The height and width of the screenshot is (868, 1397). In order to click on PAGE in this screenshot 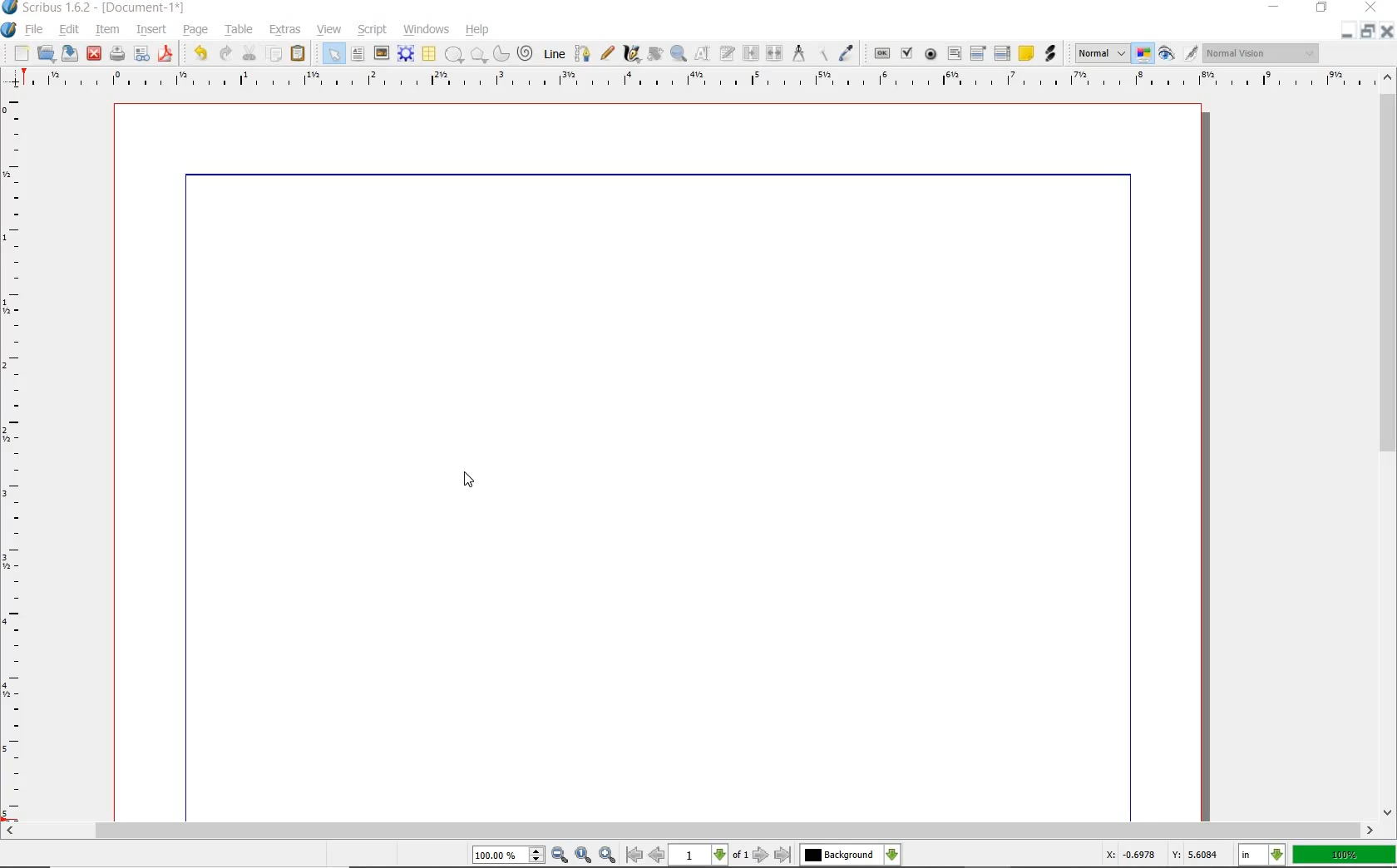, I will do `click(193, 31)`.